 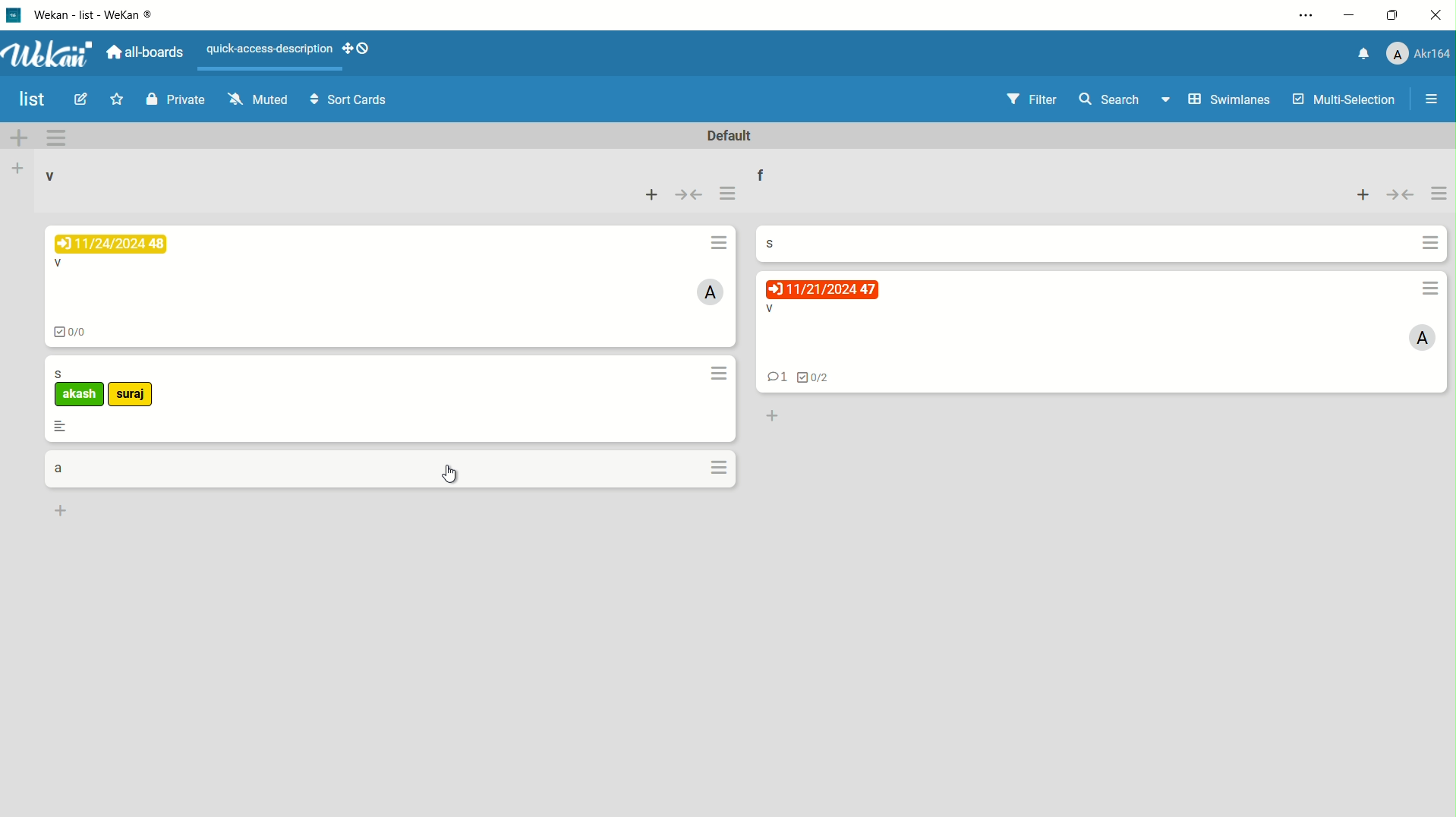 I want to click on admin, so click(x=711, y=292).